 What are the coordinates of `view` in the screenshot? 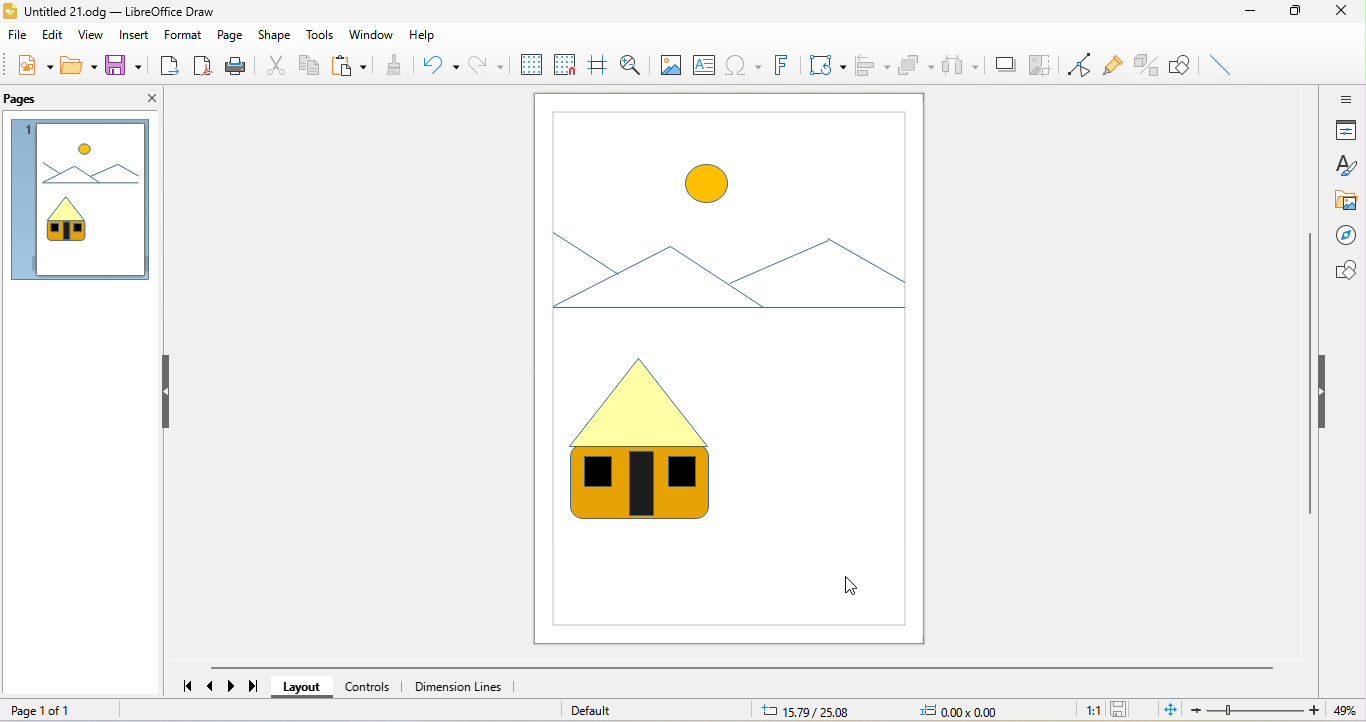 It's located at (95, 35).